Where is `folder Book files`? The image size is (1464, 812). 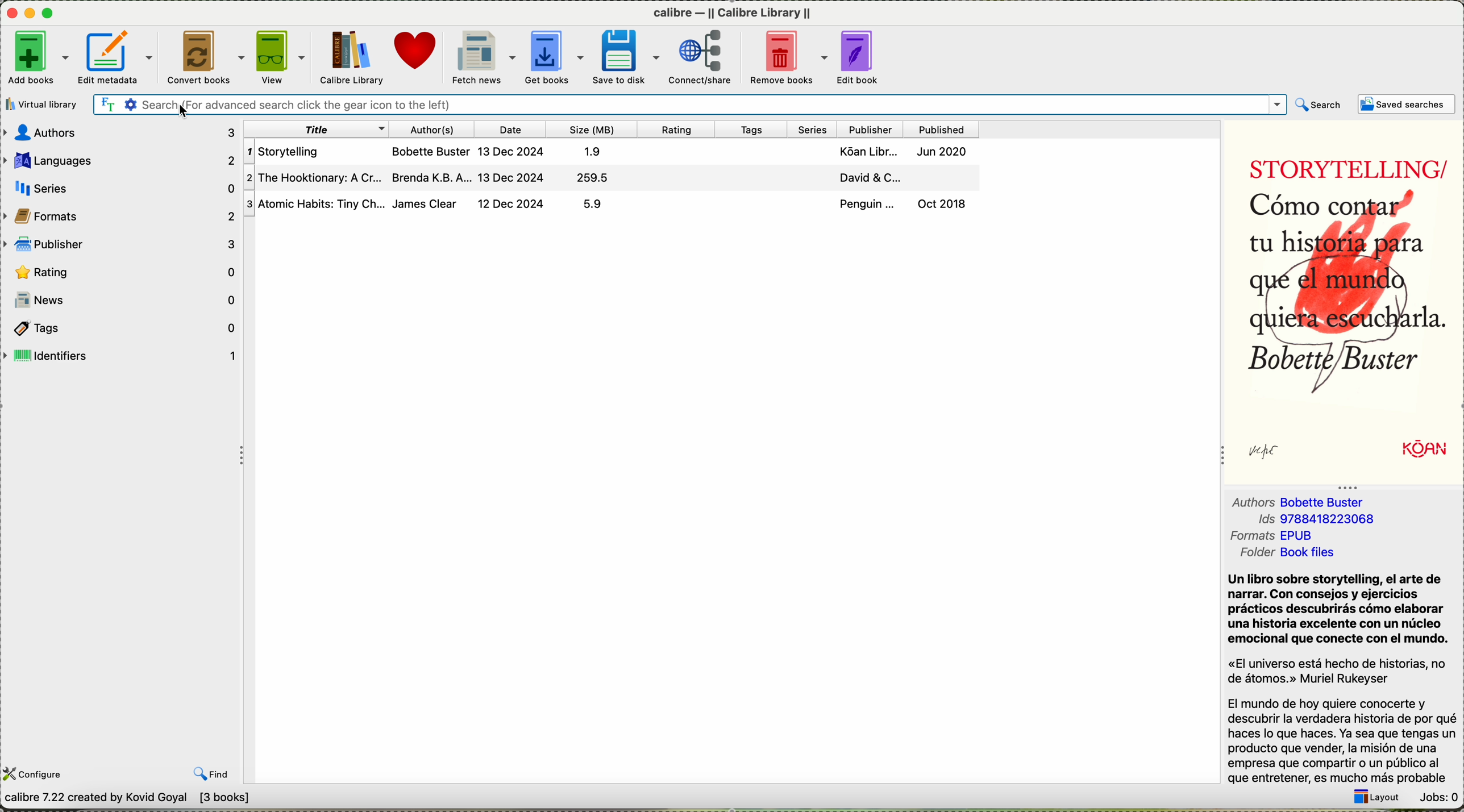
folder Book files is located at coordinates (1254, 555).